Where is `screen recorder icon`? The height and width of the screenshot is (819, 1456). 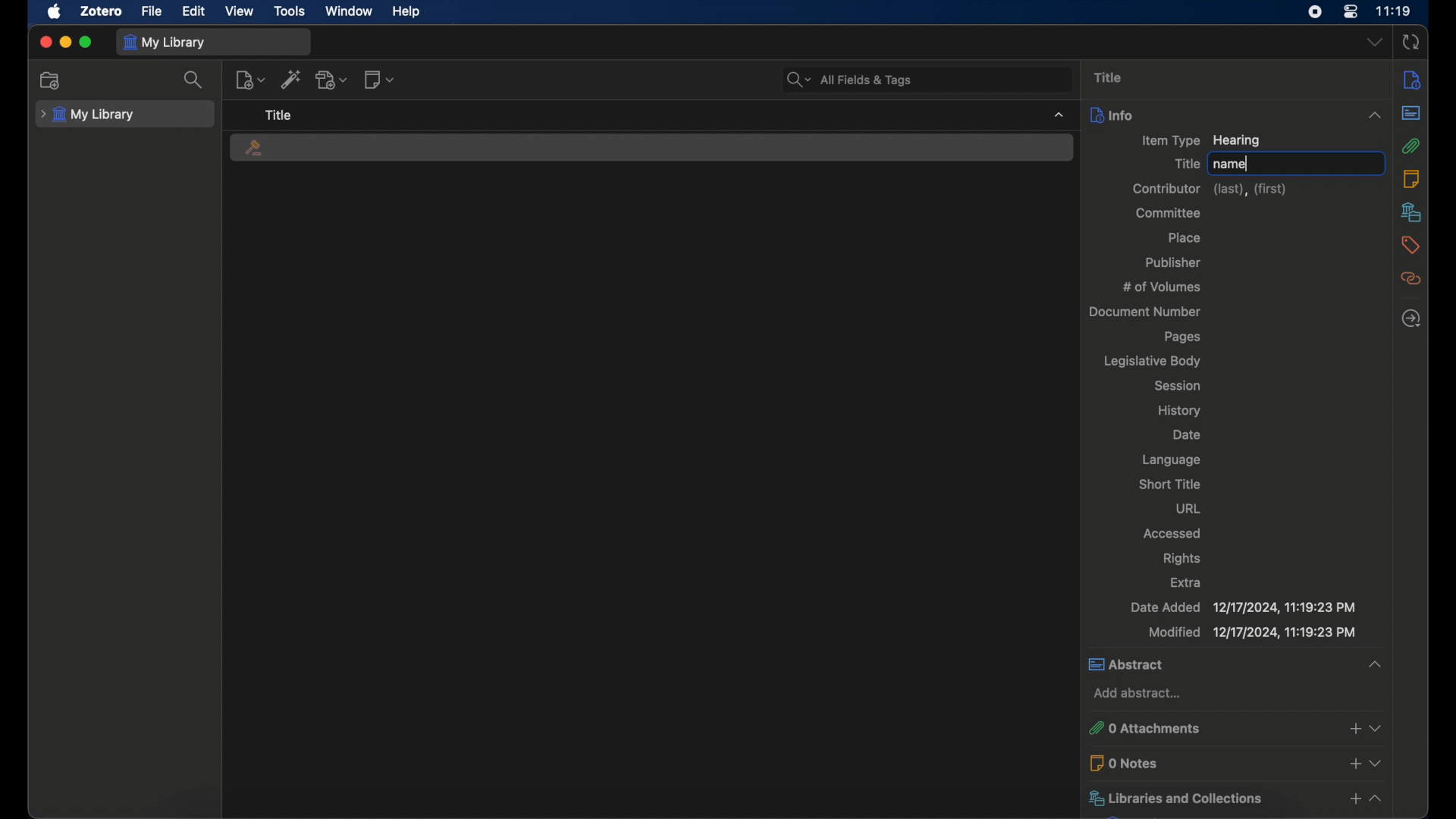 screen recorder icon is located at coordinates (1314, 11).